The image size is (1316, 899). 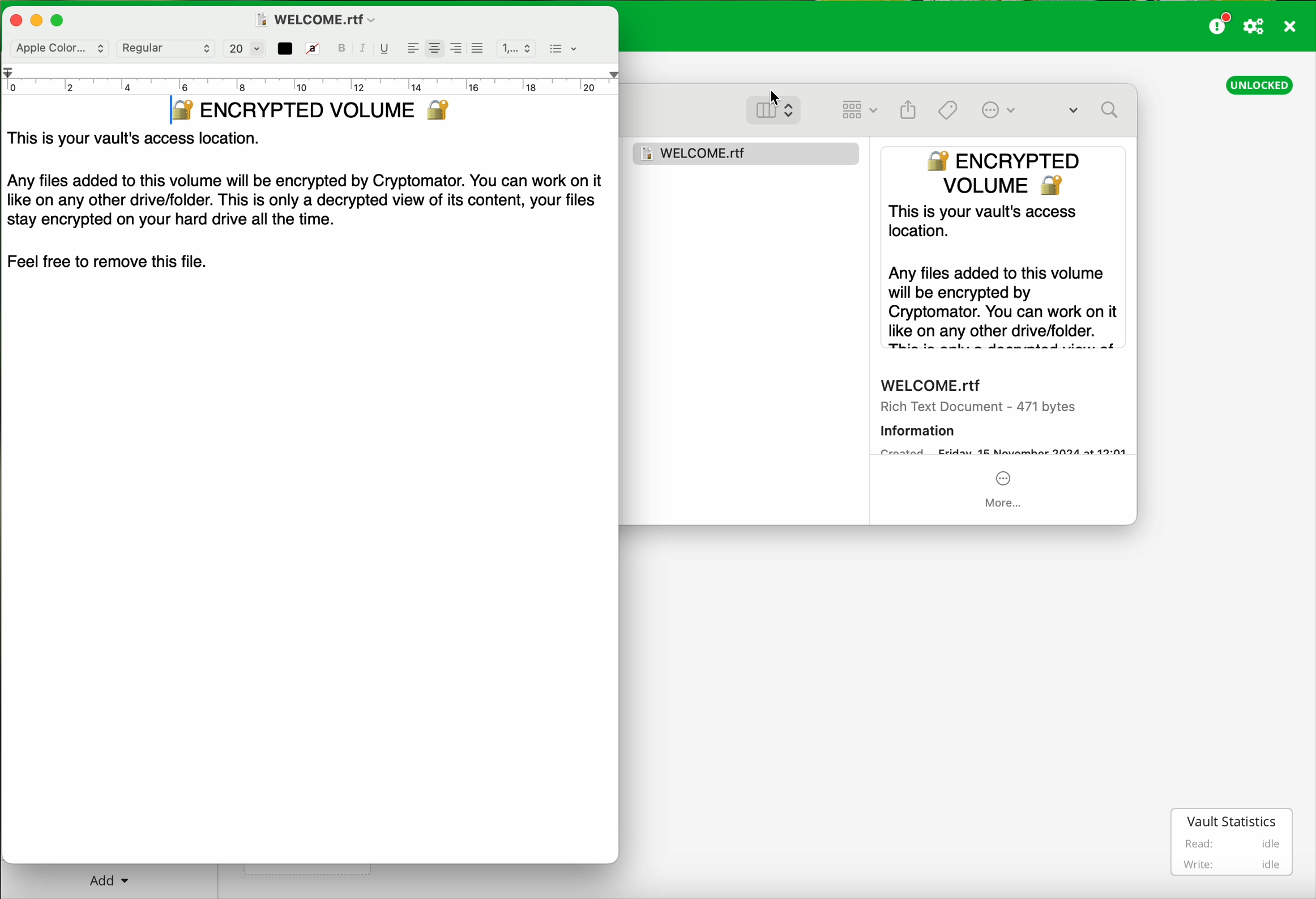 What do you see at coordinates (1291, 28) in the screenshot?
I see `close` at bounding box center [1291, 28].